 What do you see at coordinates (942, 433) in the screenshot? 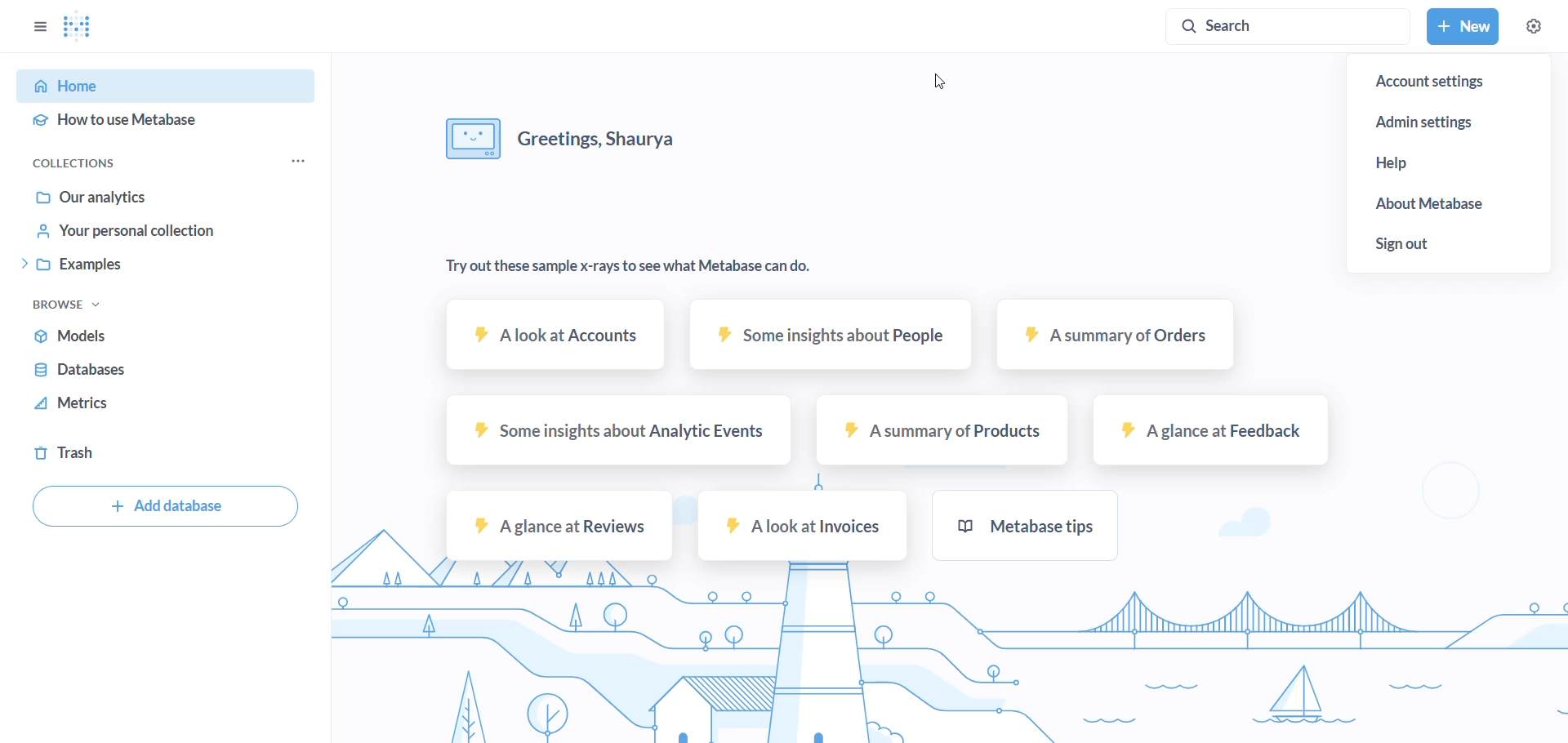
I see `A summary of products sample` at bounding box center [942, 433].